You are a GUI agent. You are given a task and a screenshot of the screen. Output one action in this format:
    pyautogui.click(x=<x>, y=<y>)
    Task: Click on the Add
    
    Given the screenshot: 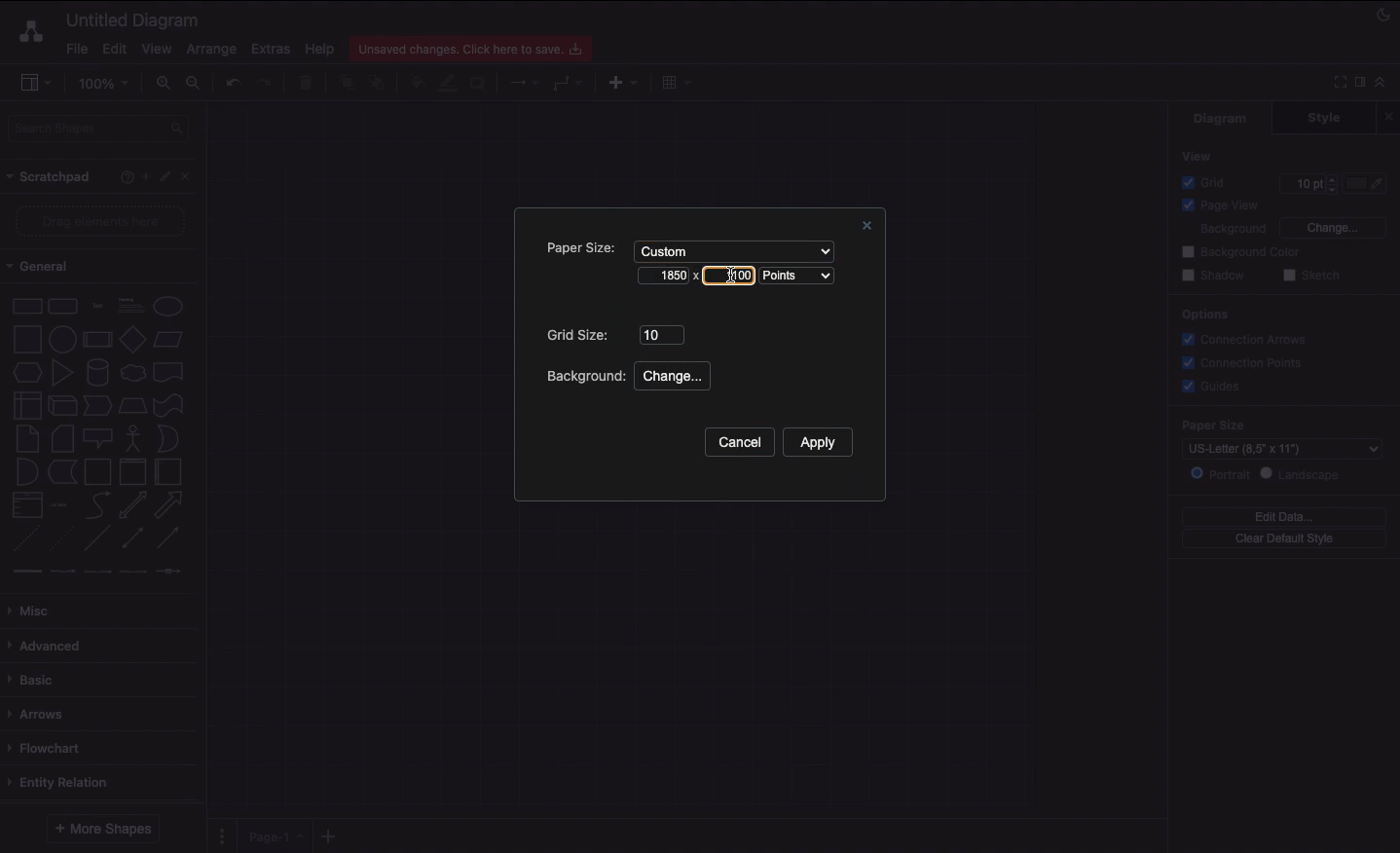 What is the action you would take?
    pyautogui.click(x=145, y=175)
    